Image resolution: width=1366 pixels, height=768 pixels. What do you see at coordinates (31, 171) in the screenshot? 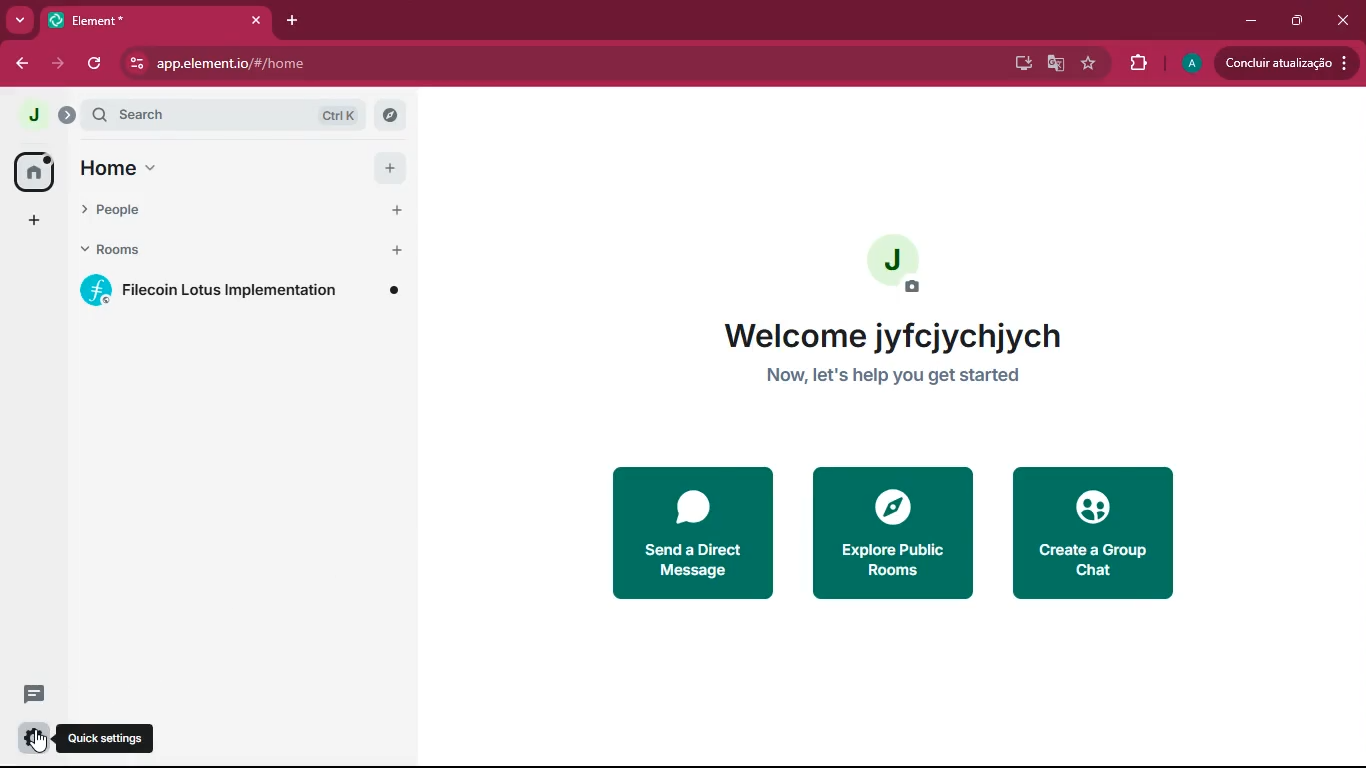
I see `home` at bounding box center [31, 171].